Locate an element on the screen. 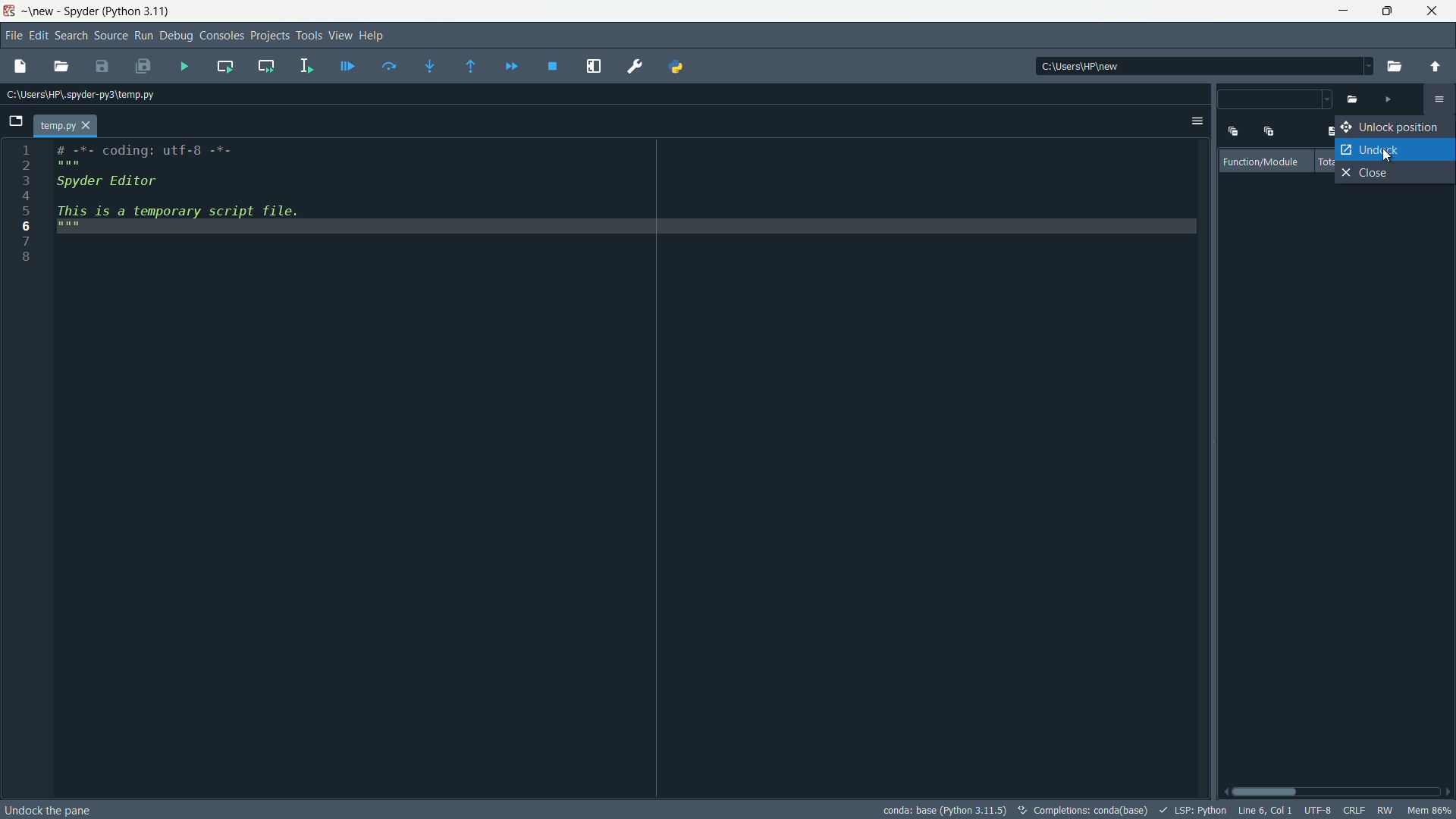  app name is located at coordinates (80, 11).